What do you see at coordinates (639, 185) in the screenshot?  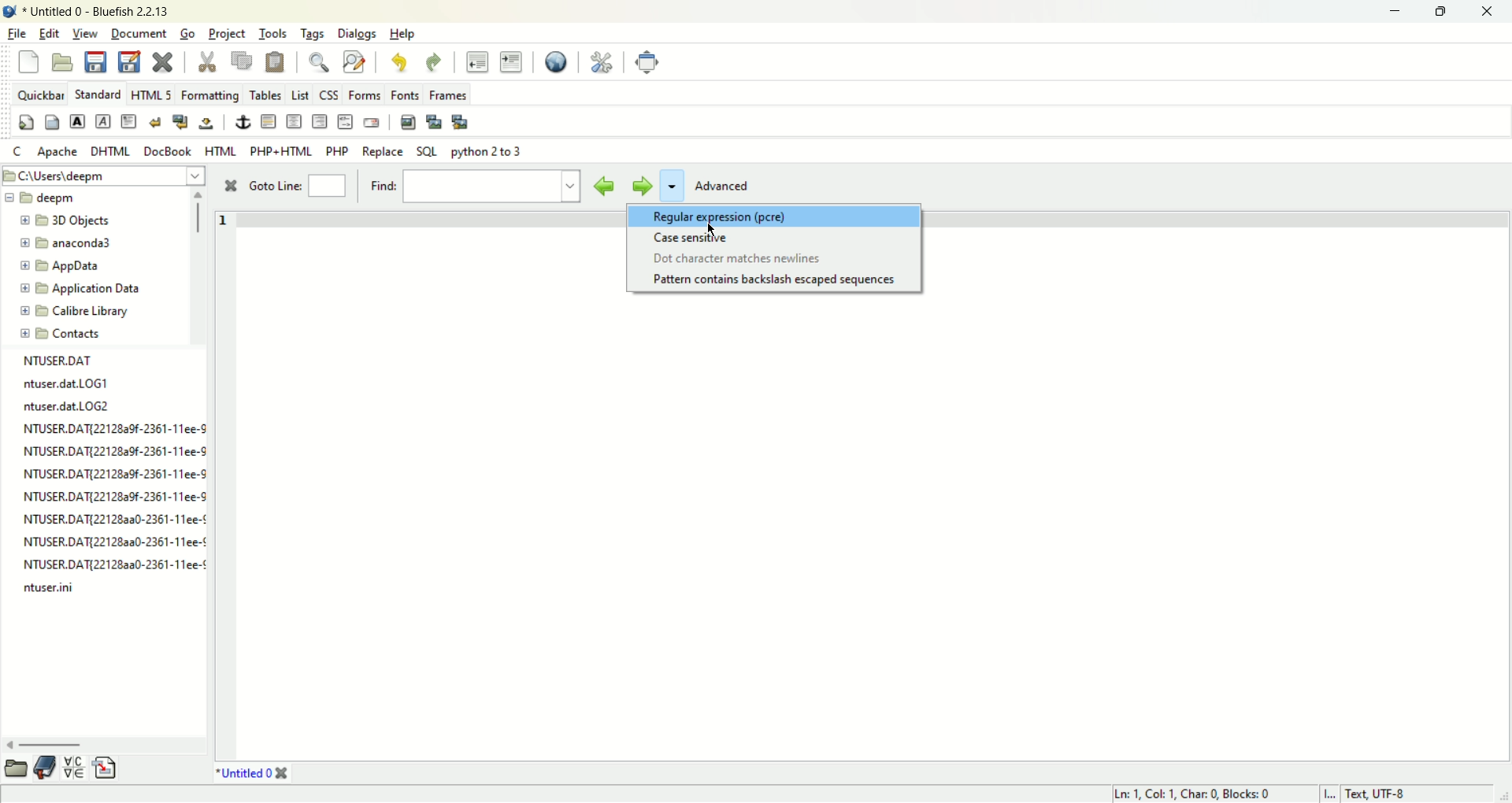 I see `next` at bounding box center [639, 185].